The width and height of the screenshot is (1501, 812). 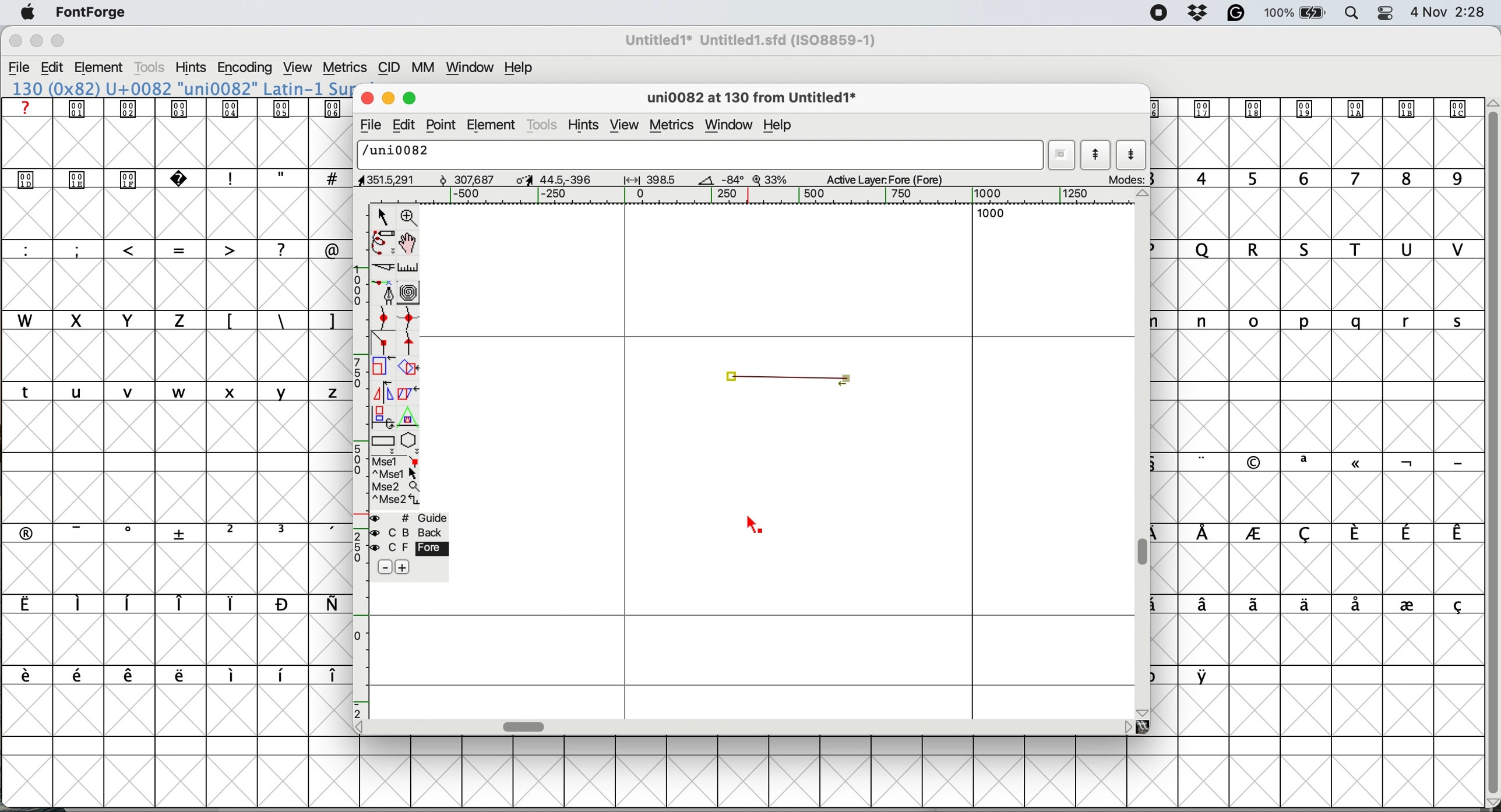 What do you see at coordinates (754, 527) in the screenshot?
I see `cursor` at bounding box center [754, 527].